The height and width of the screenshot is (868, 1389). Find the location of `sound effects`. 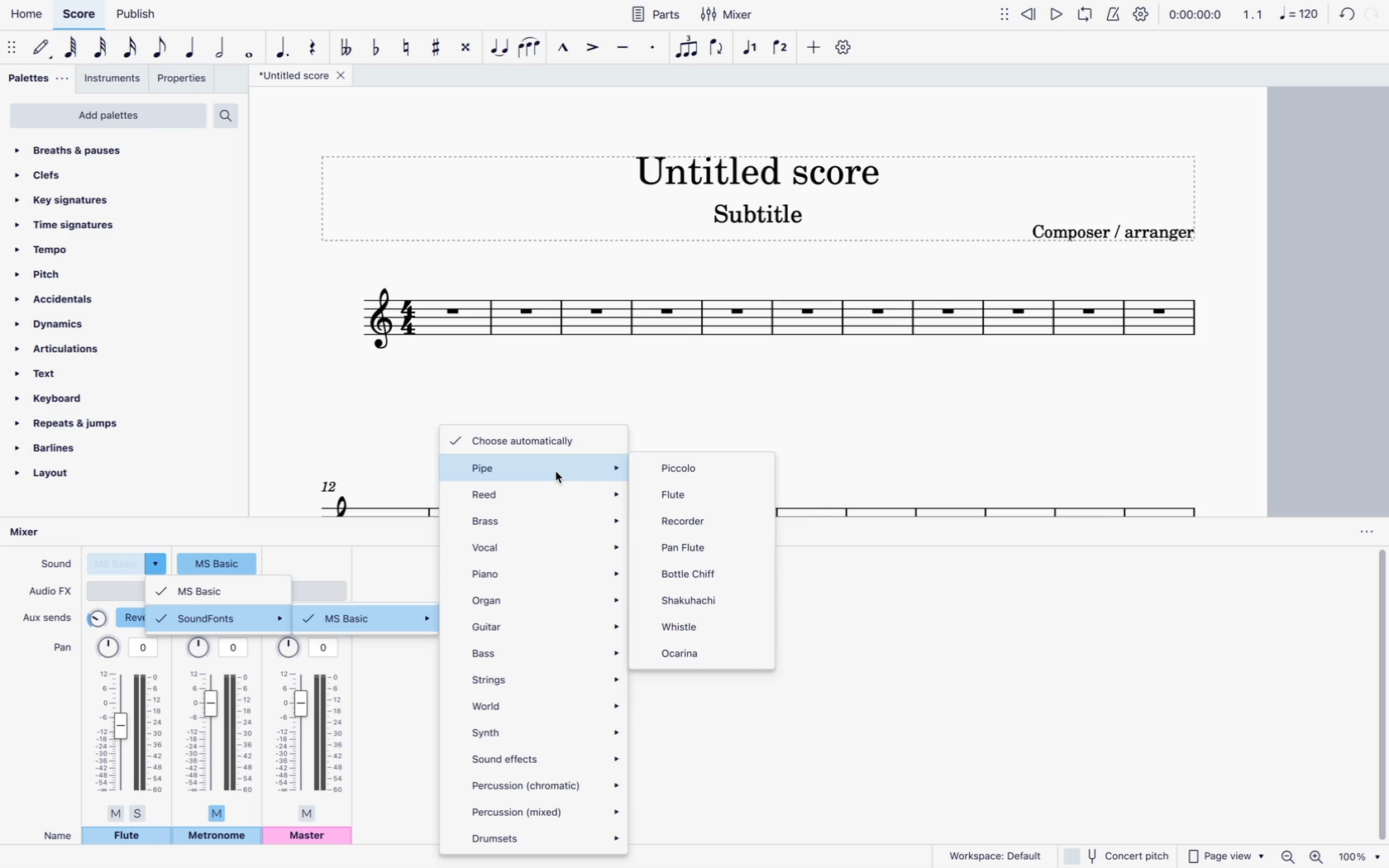

sound effects is located at coordinates (545, 756).